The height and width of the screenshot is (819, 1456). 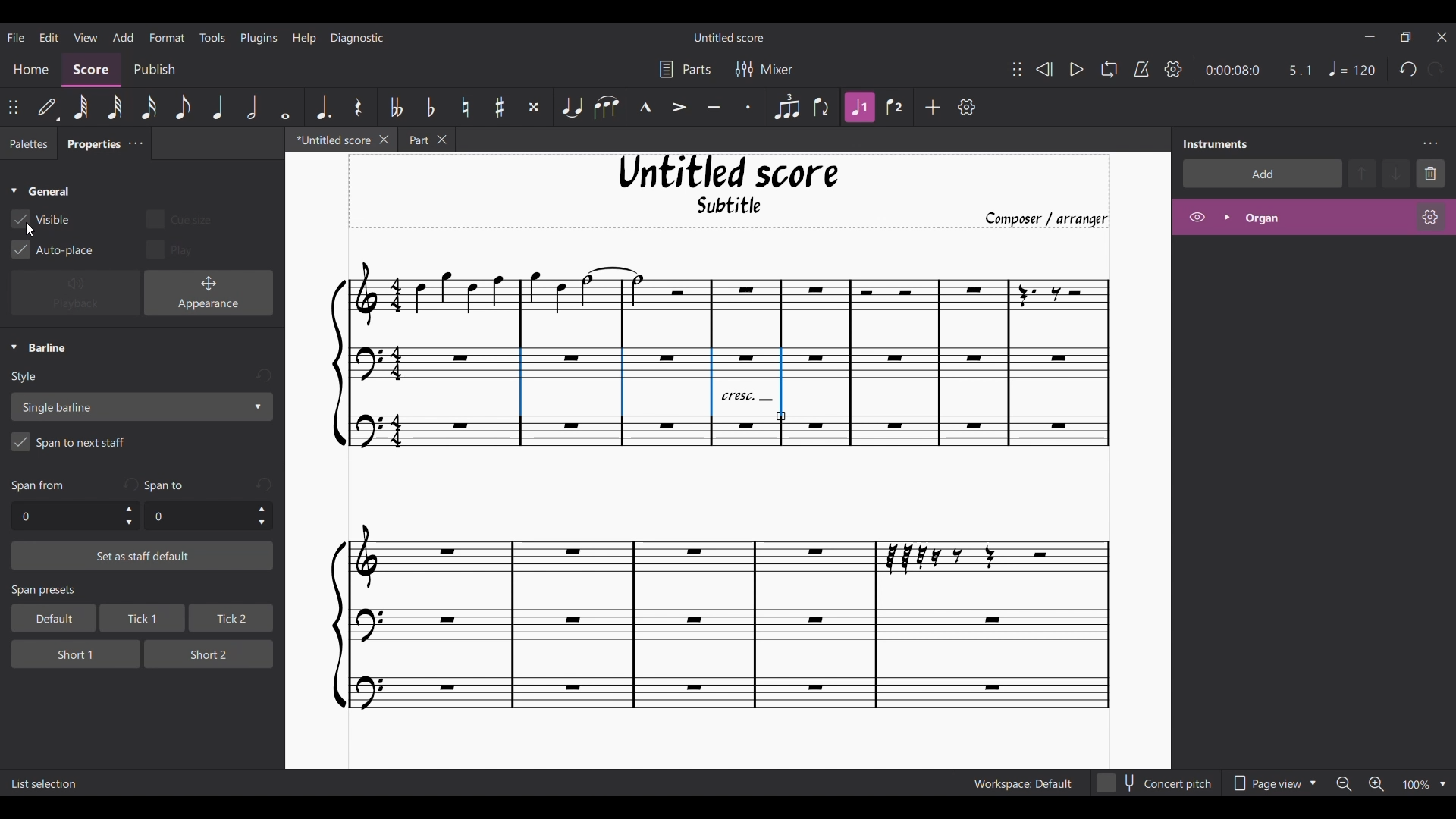 What do you see at coordinates (1436, 69) in the screenshot?
I see `Redo` at bounding box center [1436, 69].